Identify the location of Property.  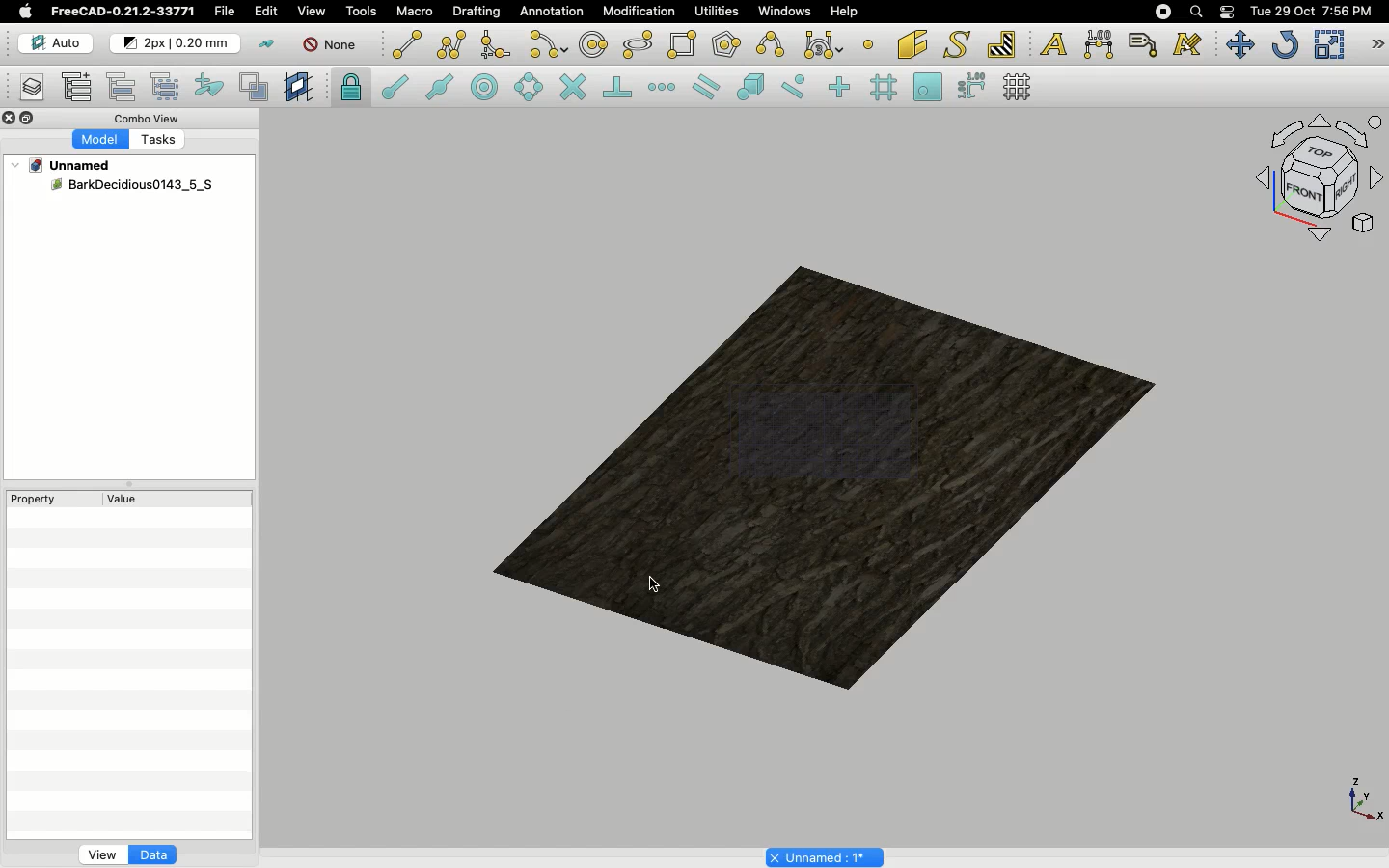
(39, 499).